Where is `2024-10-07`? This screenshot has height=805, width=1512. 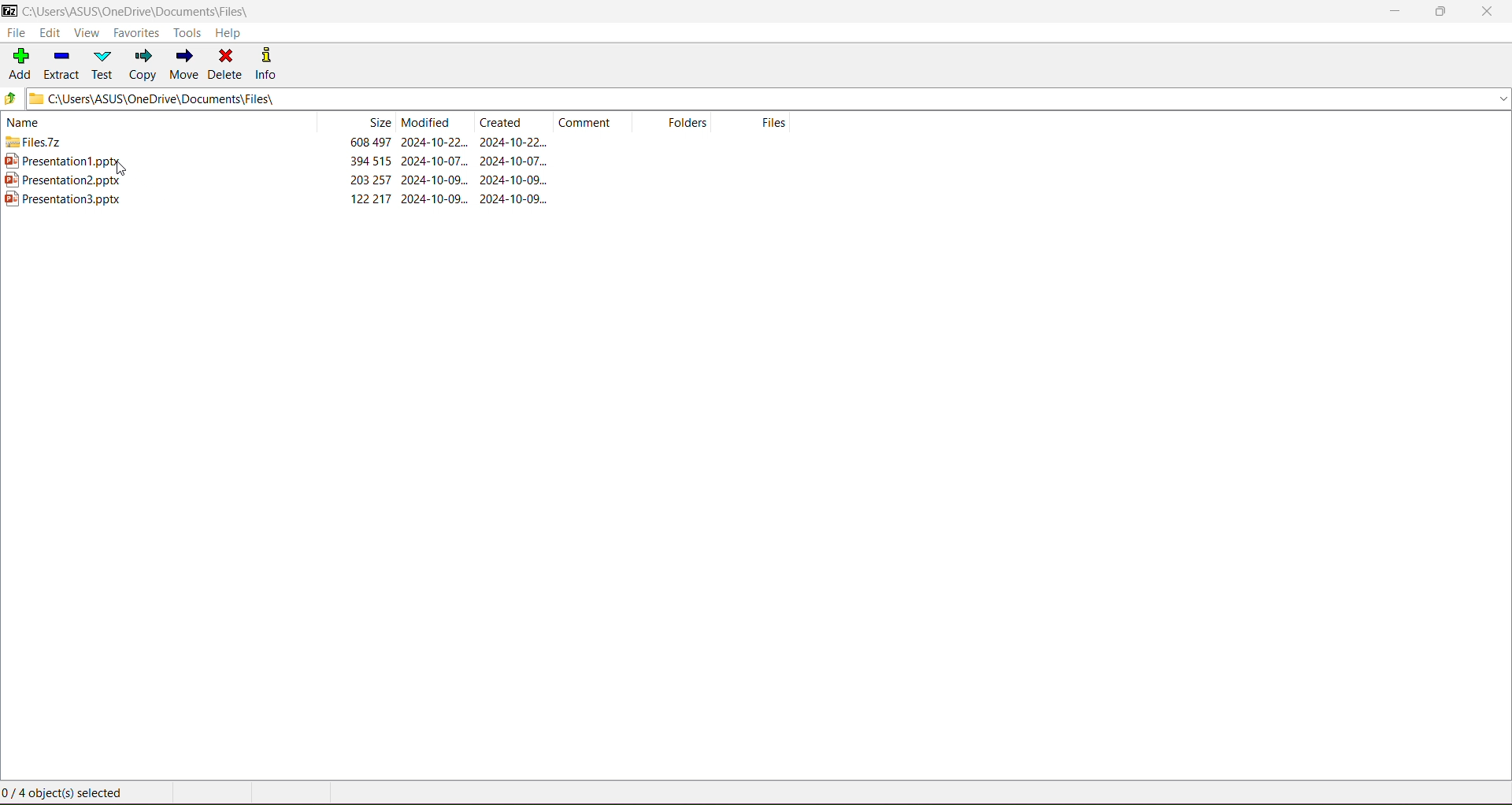 2024-10-07 is located at coordinates (434, 161).